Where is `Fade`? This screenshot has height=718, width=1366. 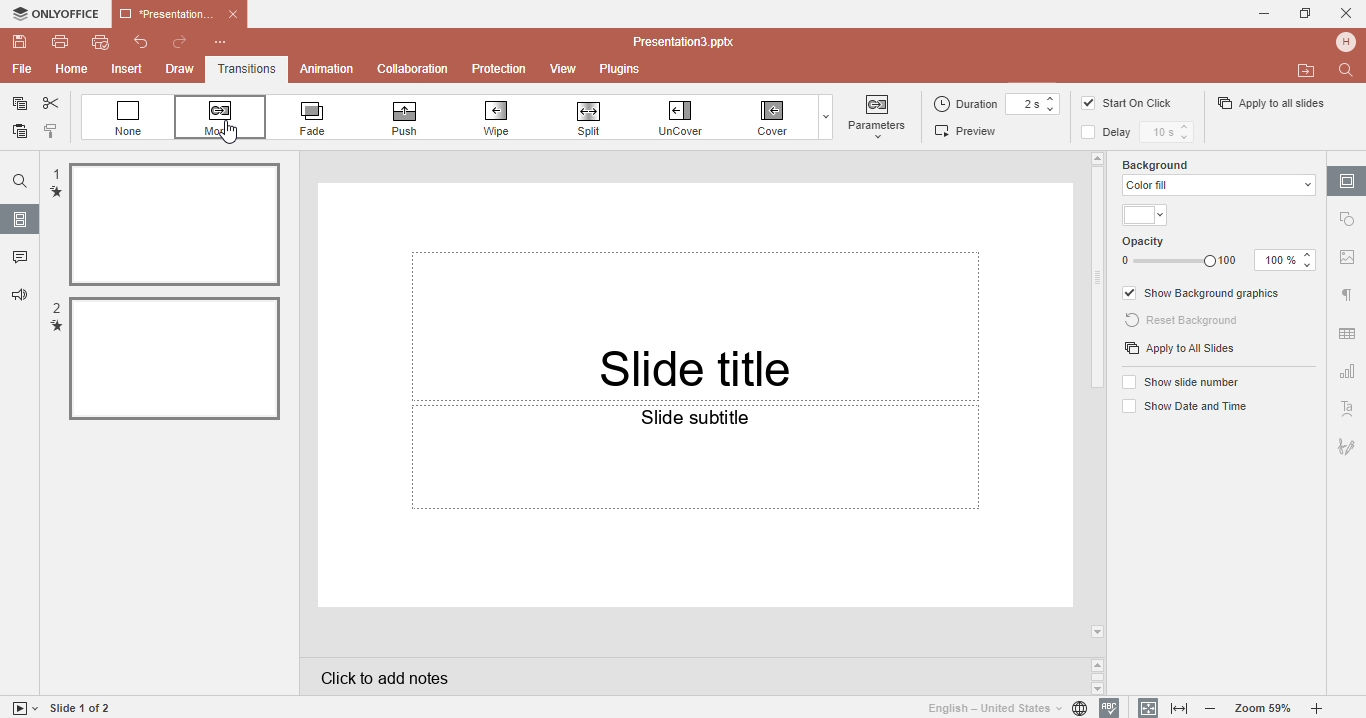
Fade is located at coordinates (325, 118).